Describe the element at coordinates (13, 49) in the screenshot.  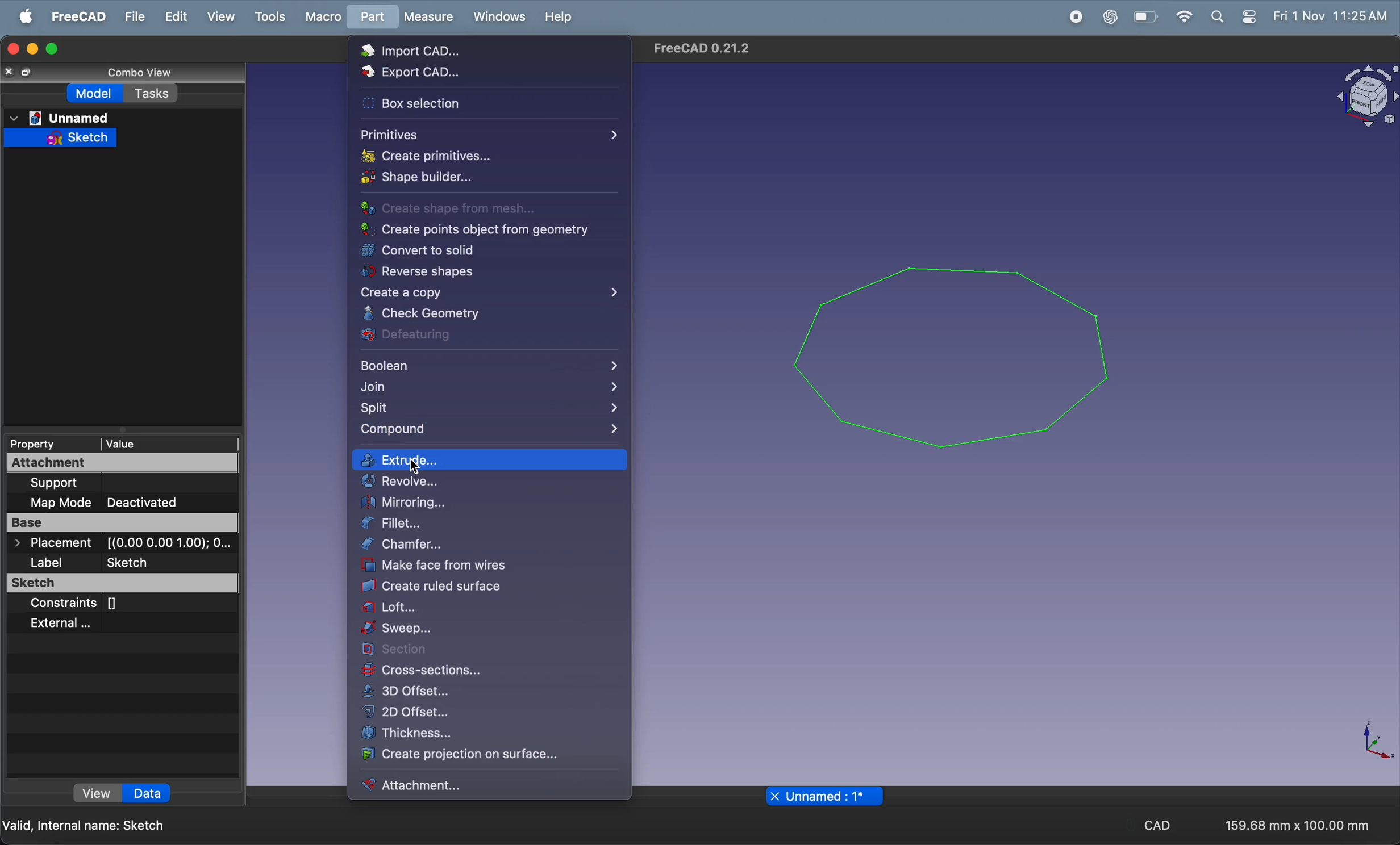
I see `closing window` at that location.